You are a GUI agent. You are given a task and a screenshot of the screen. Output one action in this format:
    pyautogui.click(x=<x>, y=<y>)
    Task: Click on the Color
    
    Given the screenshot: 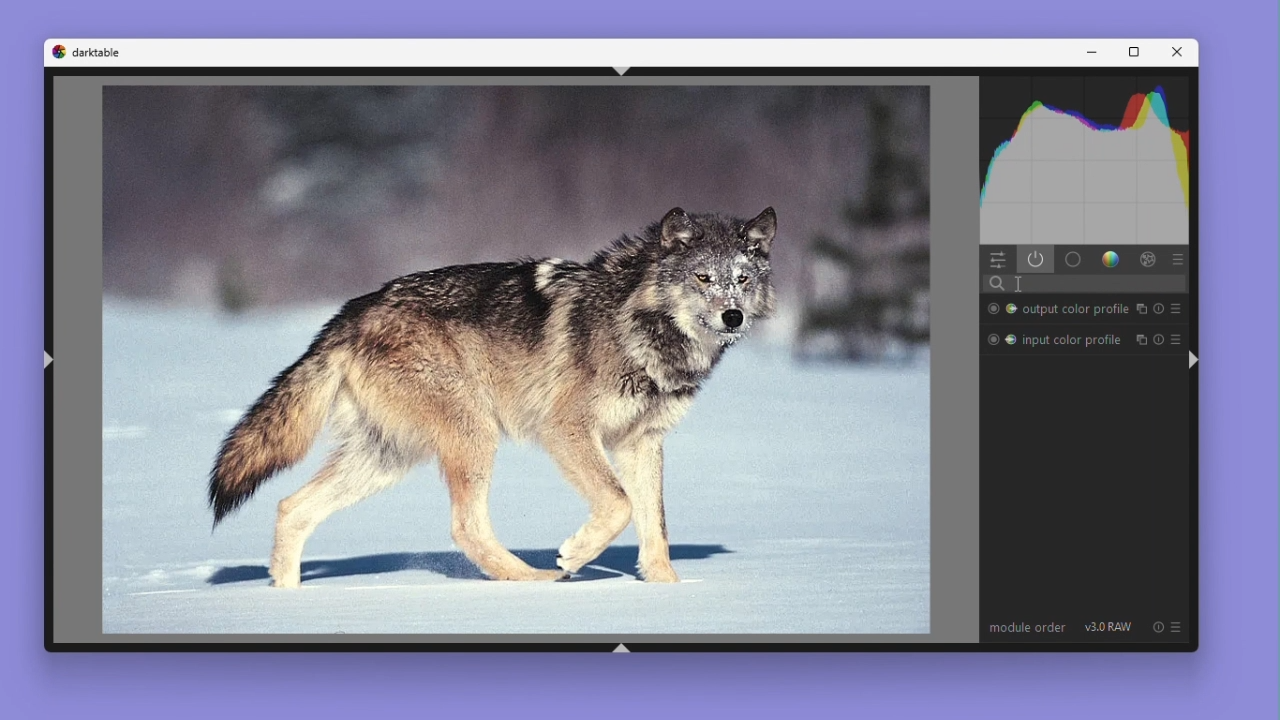 What is the action you would take?
    pyautogui.click(x=1111, y=261)
    